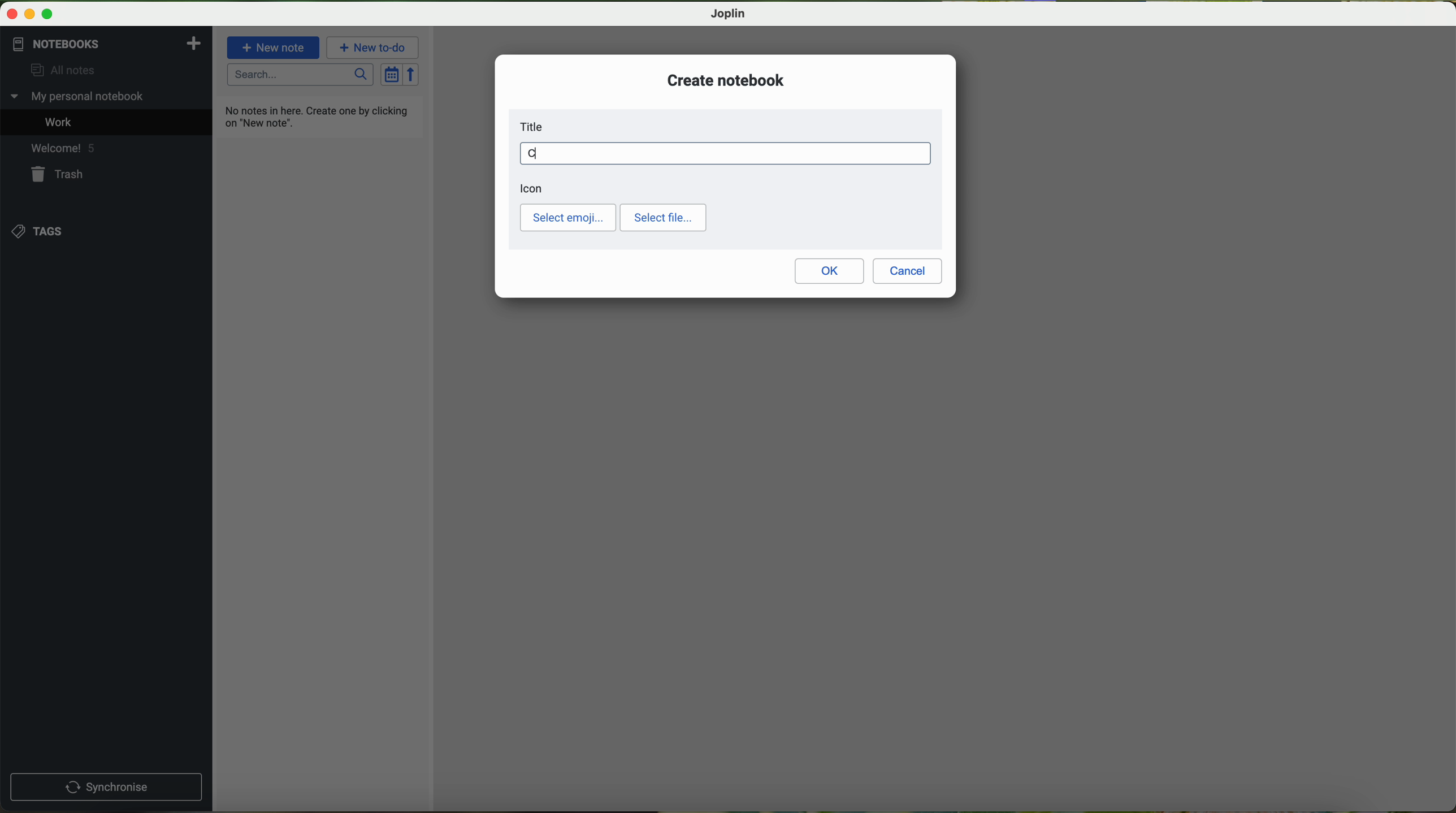  I want to click on new note button, so click(274, 47).